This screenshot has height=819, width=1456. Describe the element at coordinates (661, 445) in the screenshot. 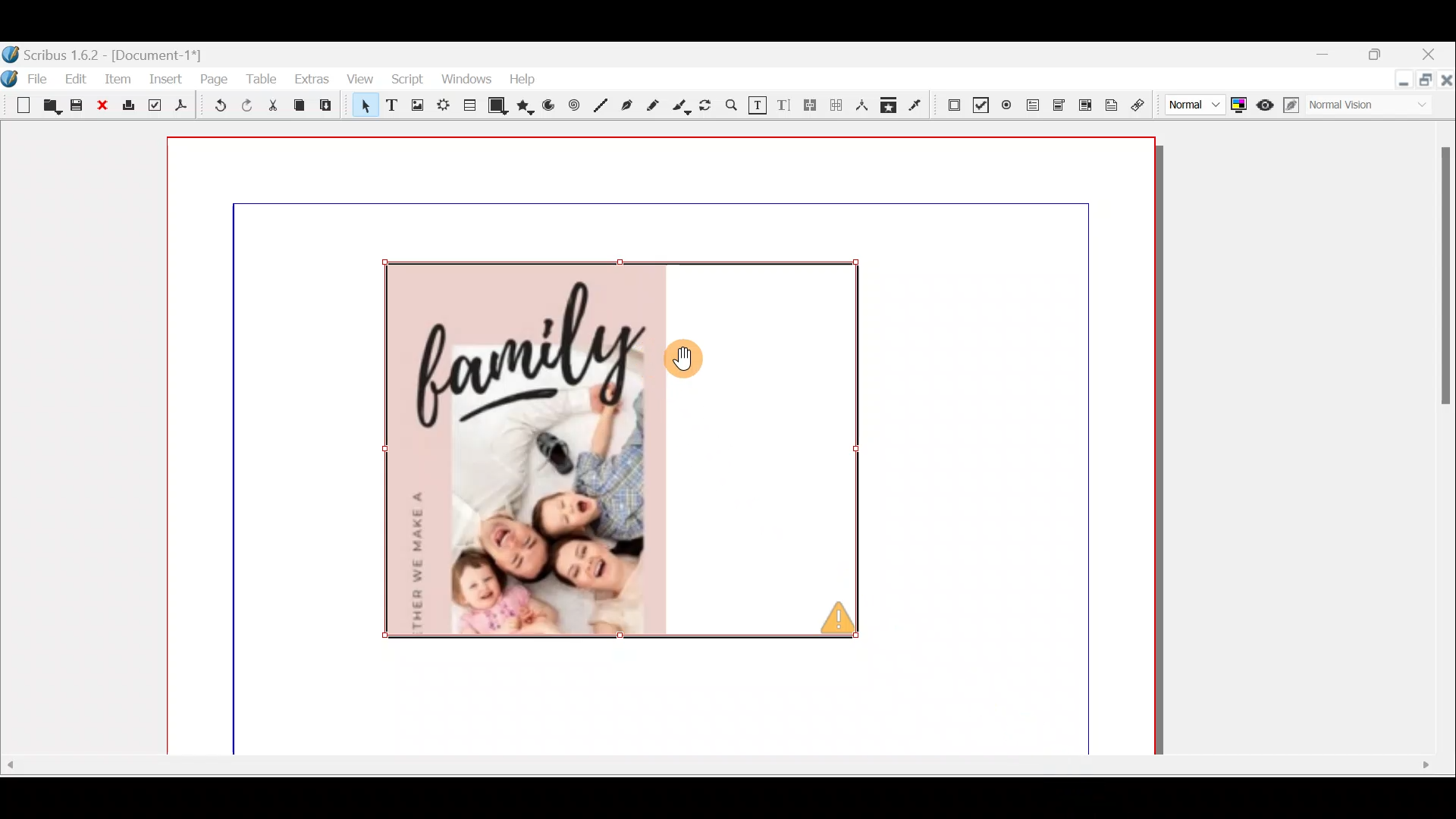

I see `Canvas` at that location.